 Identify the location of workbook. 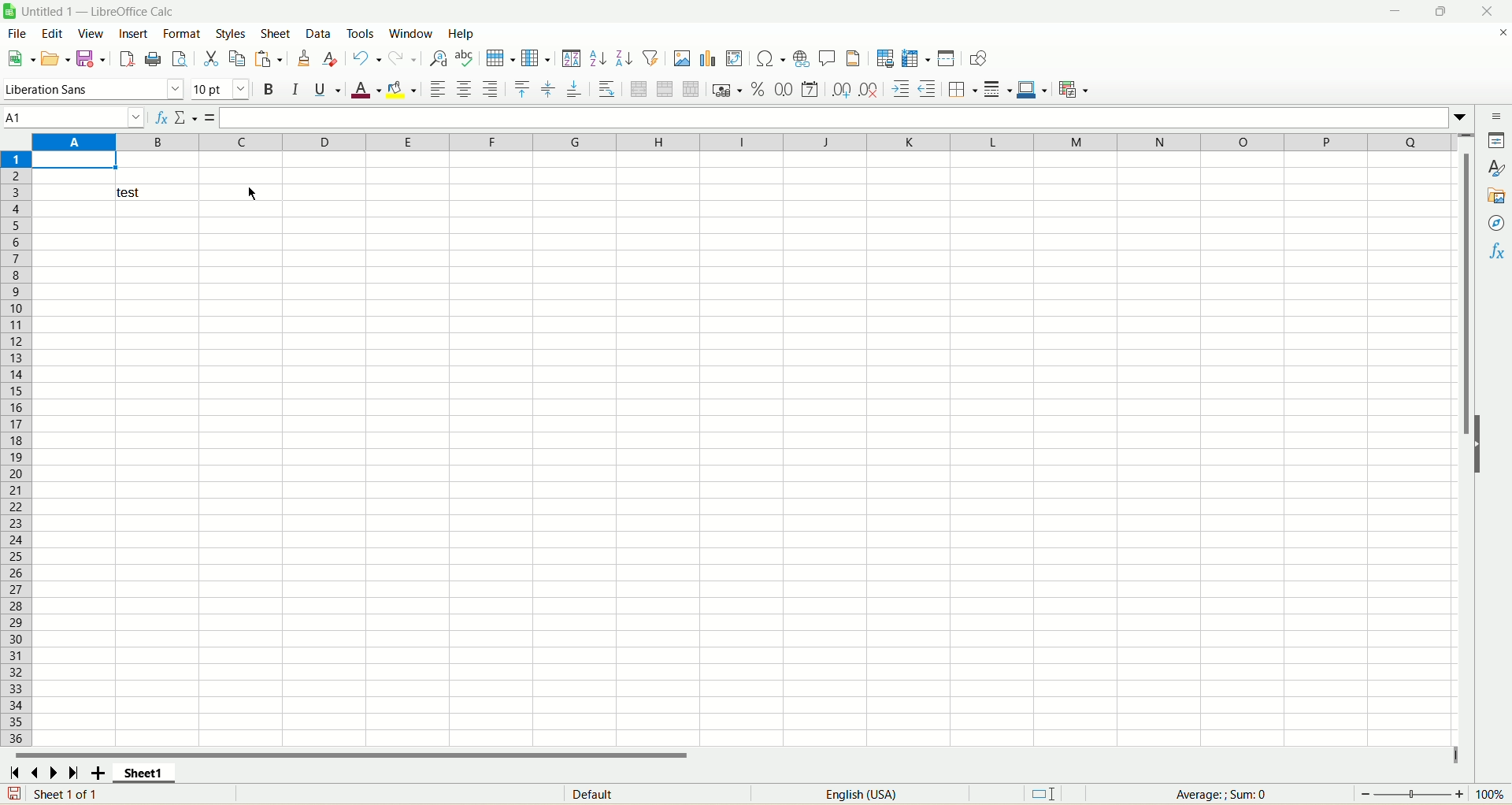
(745, 474).